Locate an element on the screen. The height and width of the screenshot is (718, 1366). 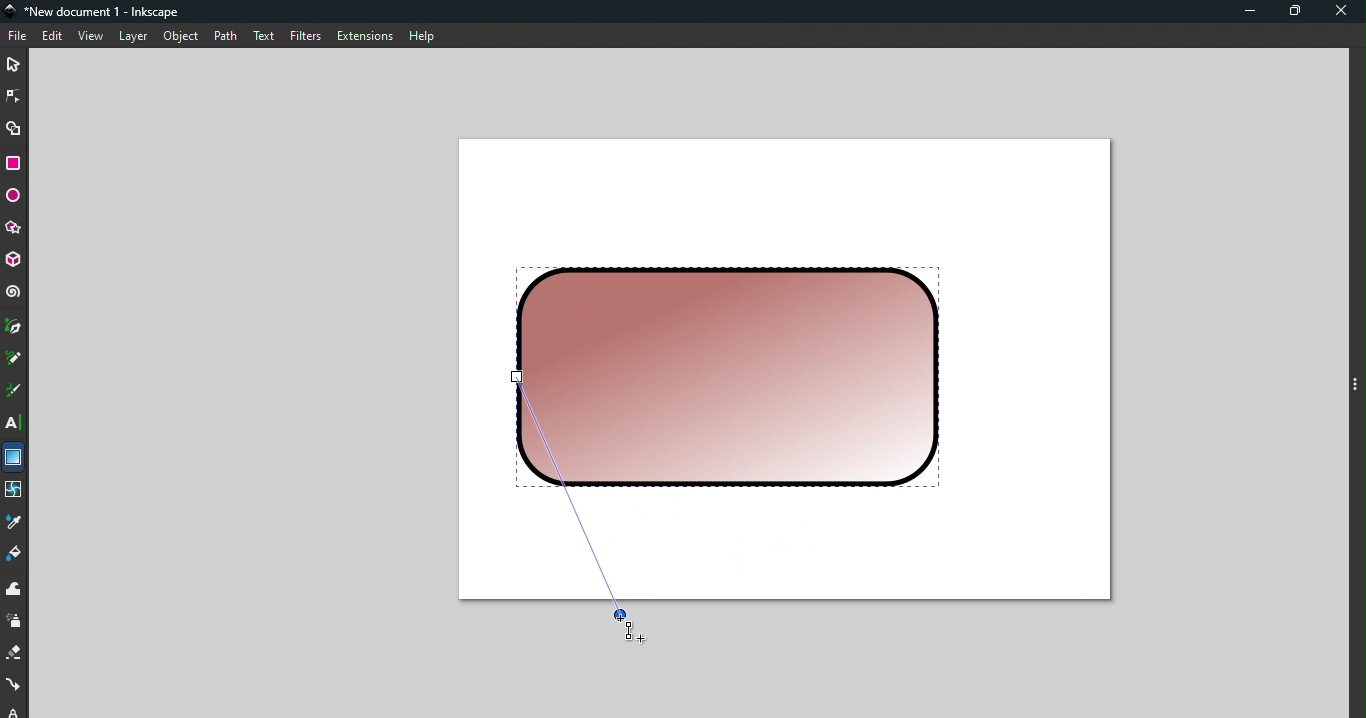
Shape builder tool is located at coordinates (14, 127).